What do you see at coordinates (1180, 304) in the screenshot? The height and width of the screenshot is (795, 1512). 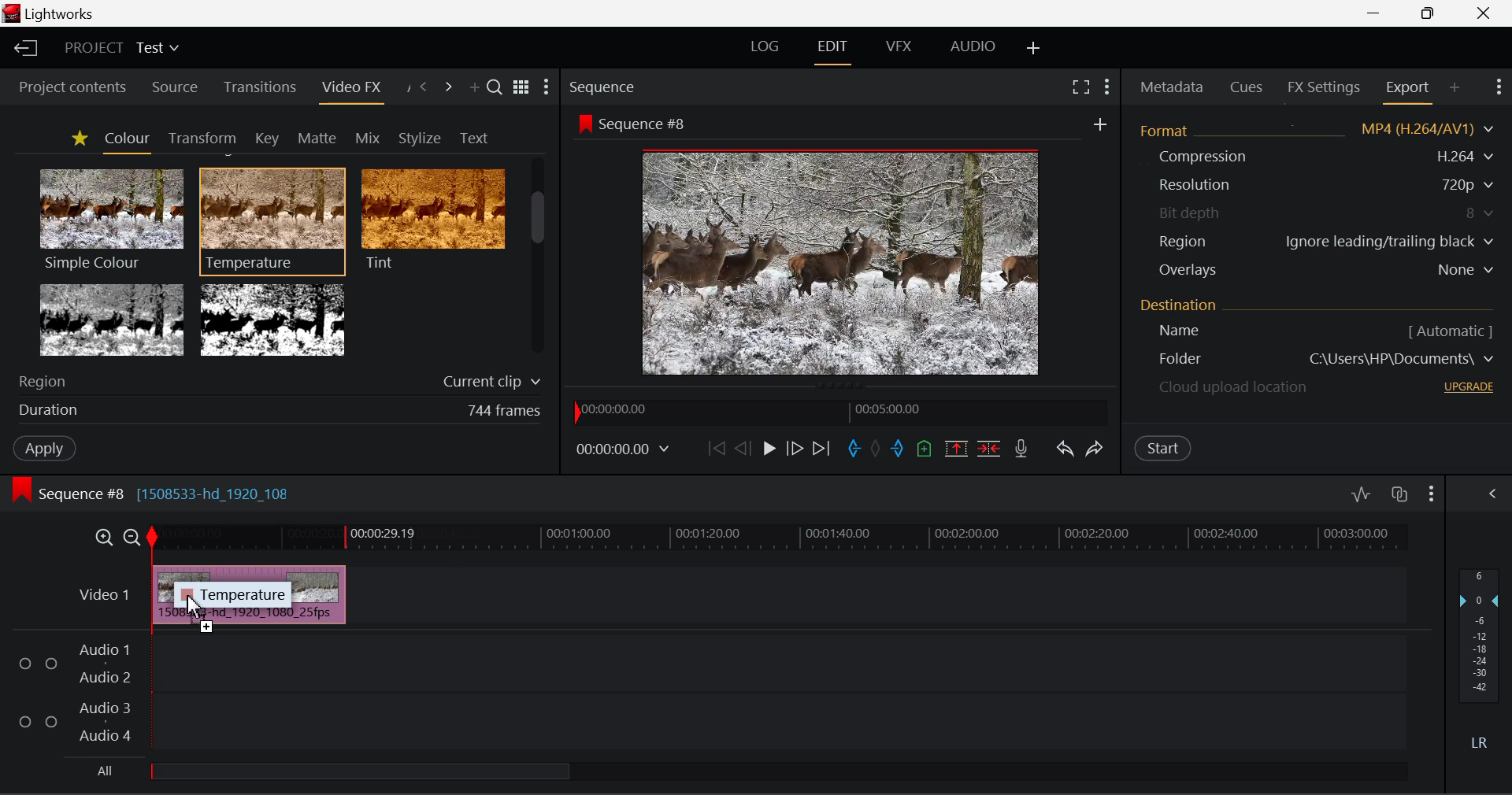 I see `Destination` at bounding box center [1180, 304].